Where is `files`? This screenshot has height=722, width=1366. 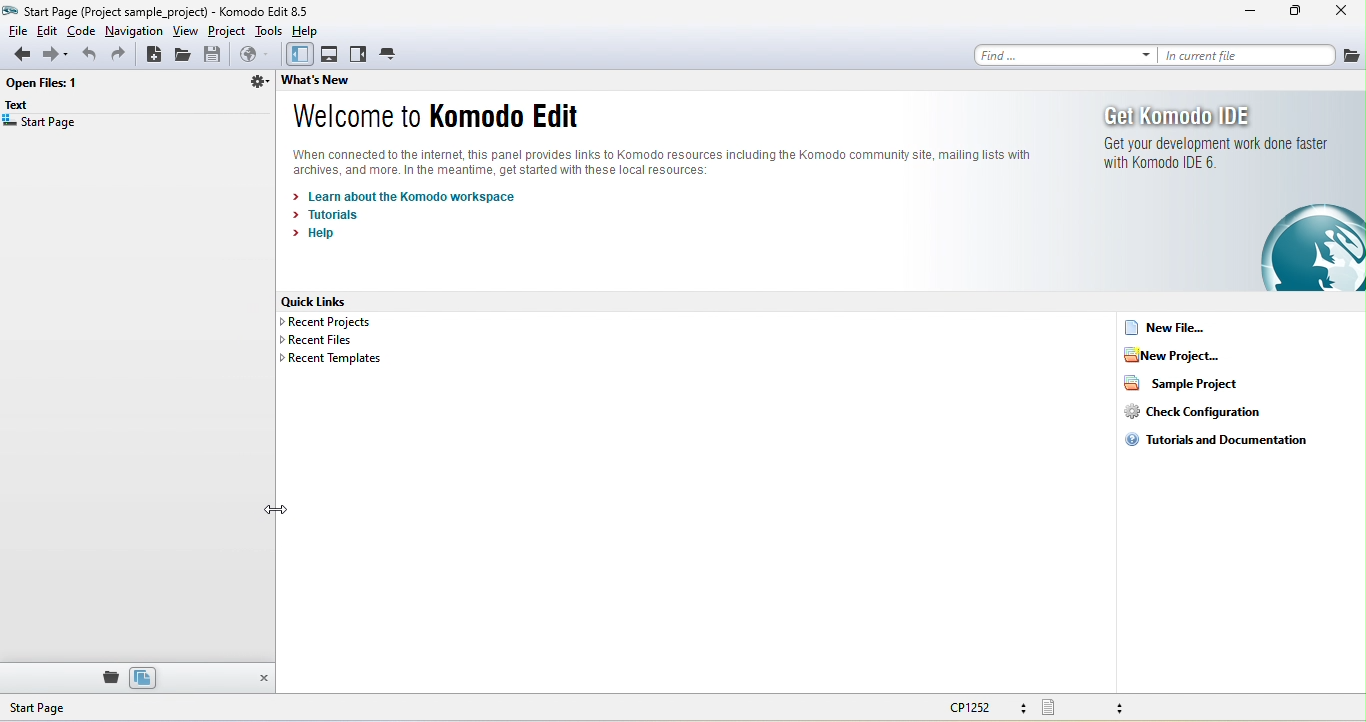
files is located at coordinates (143, 677).